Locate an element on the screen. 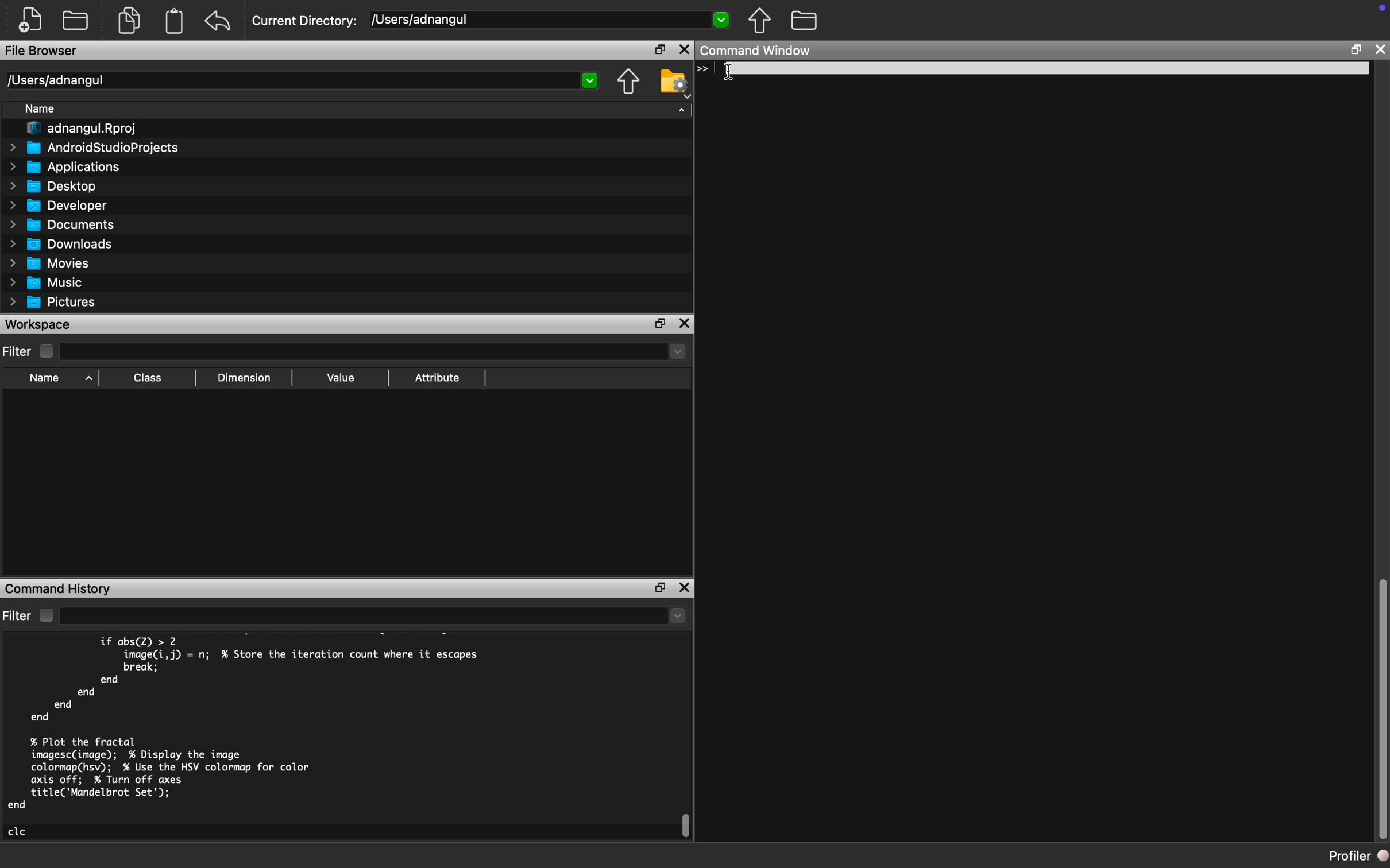 The height and width of the screenshot is (868, 1390). New File is located at coordinates (29, 21).